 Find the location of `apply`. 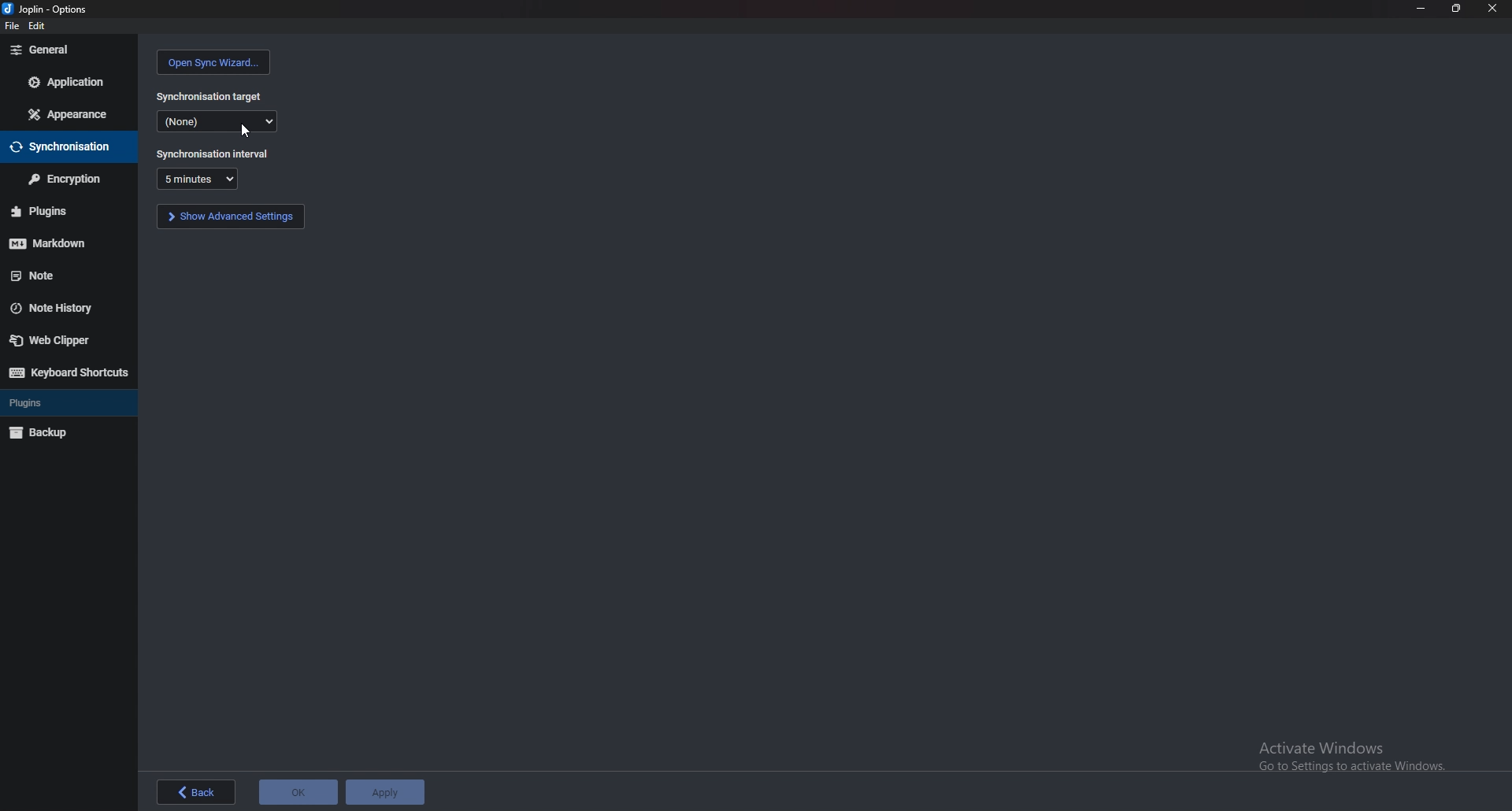

apply is located at coordinates (385, 792).